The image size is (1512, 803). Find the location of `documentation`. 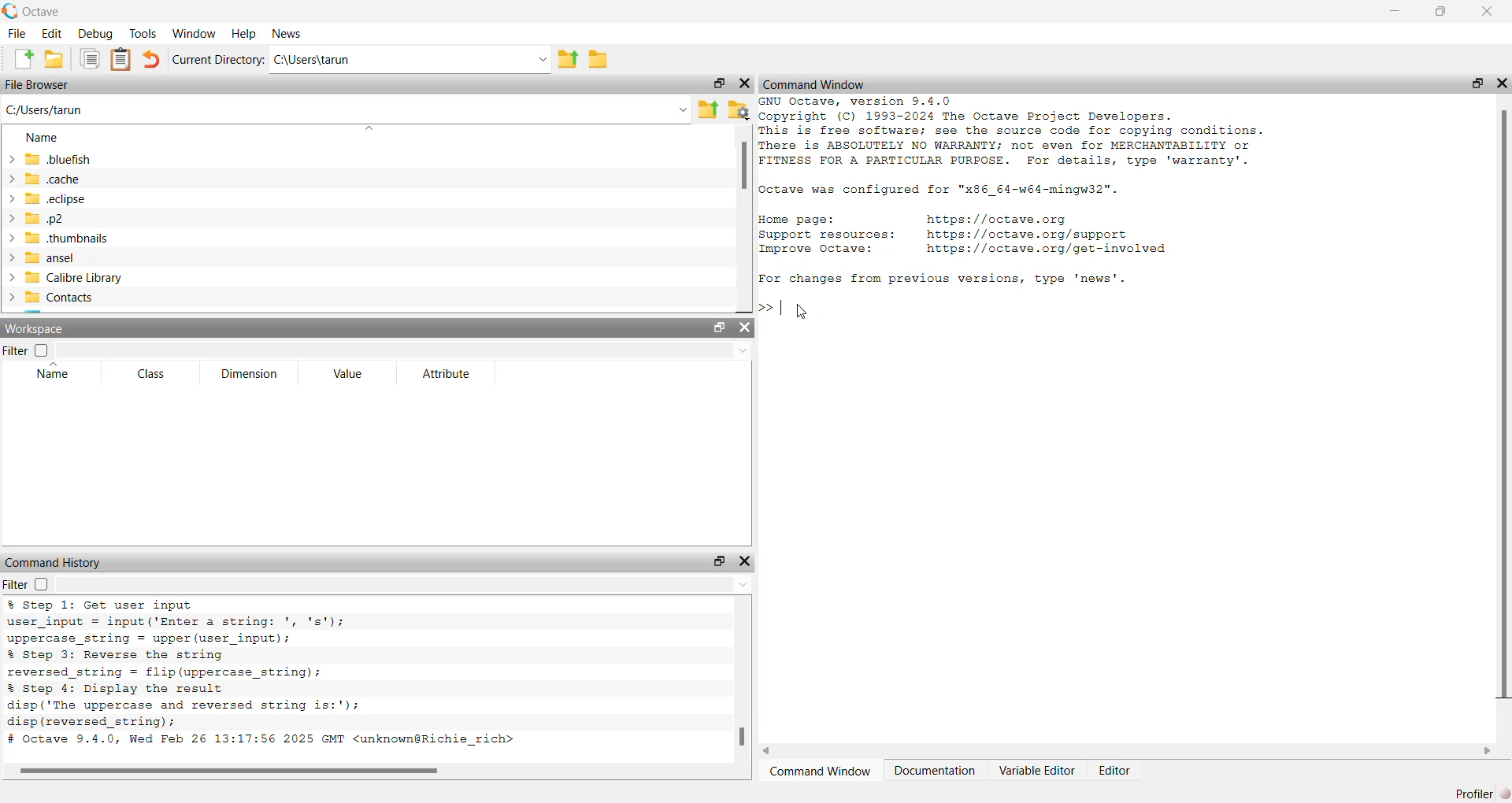

documentation is located at coordinates (934, 772).